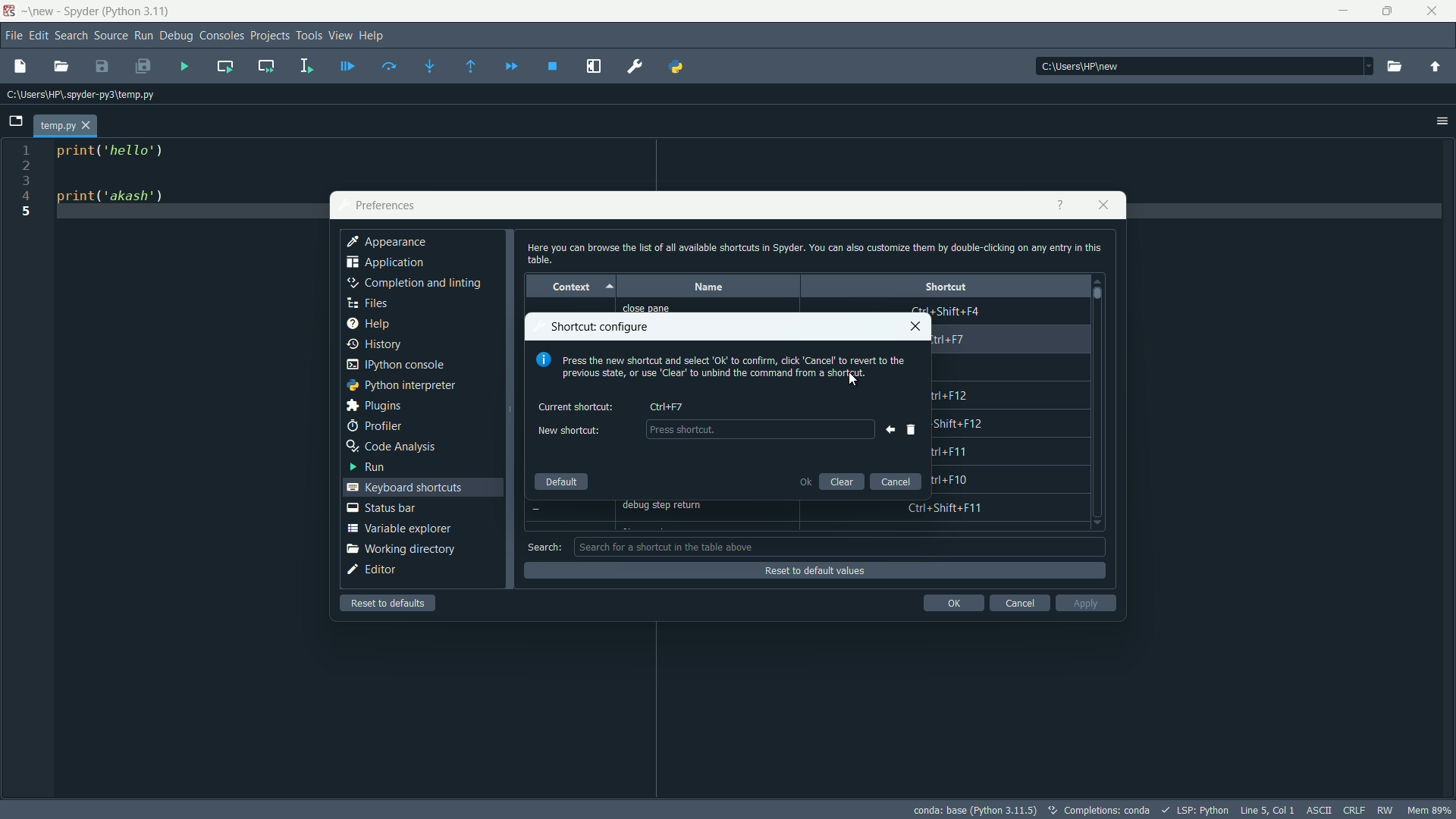  What do you see at coordinates (61, 67) in the screenshot?
I see `open file` at bounding box center [61, 67].